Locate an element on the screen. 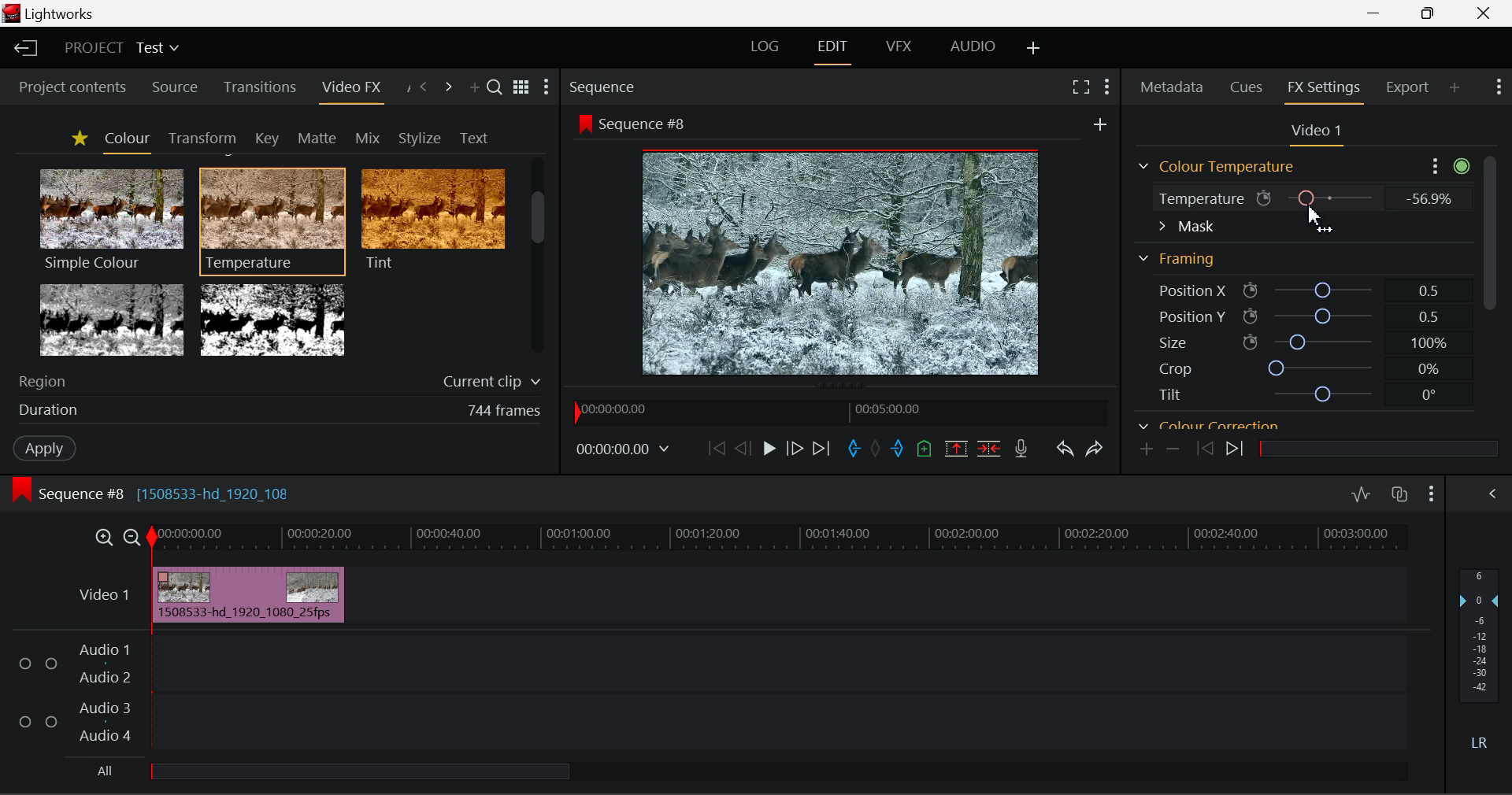 Image resolution: width=1512 pixels, height=795 pixels. Show Settings is located at coordinates (1492, 494).